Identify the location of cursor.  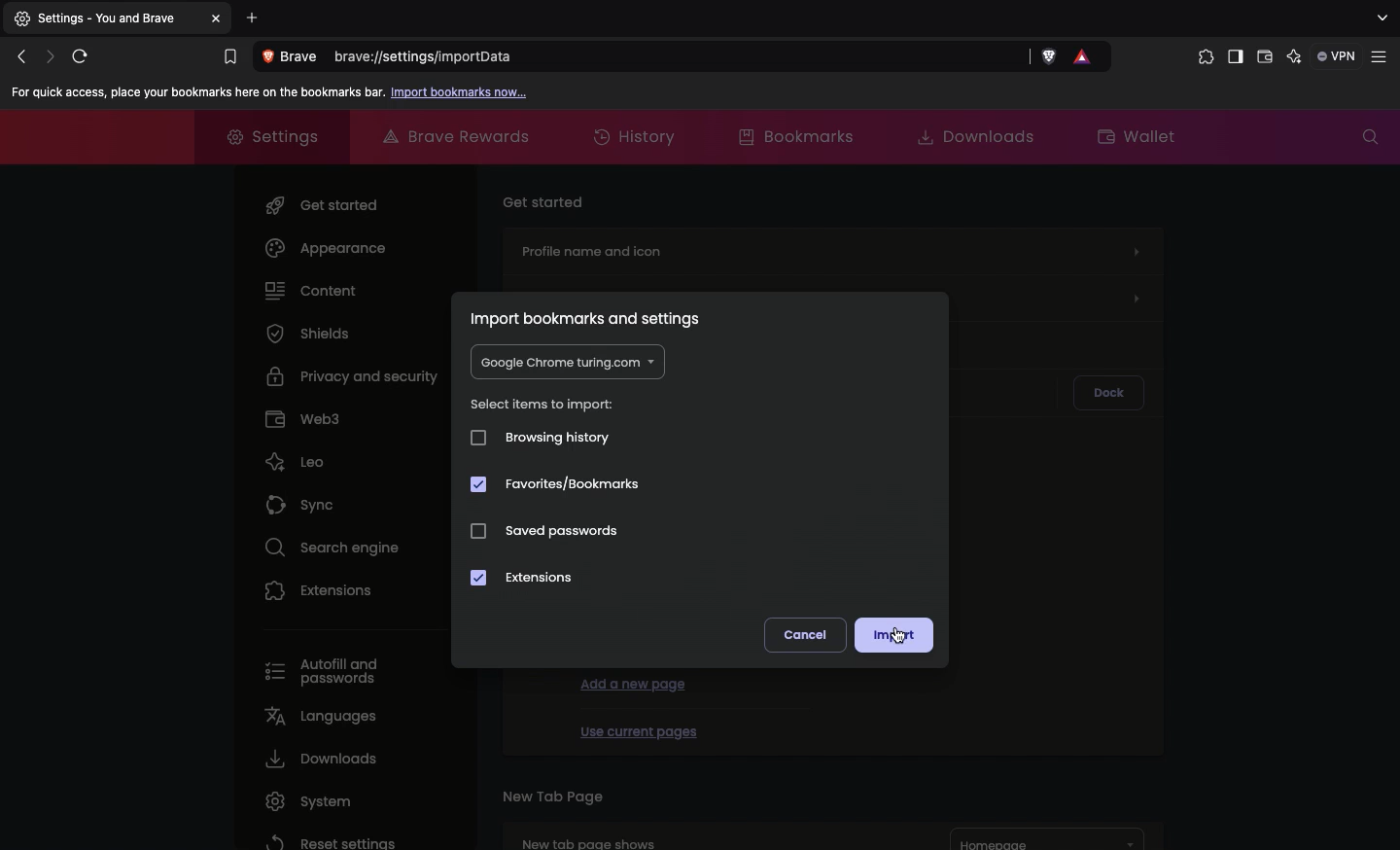
(900, 635).